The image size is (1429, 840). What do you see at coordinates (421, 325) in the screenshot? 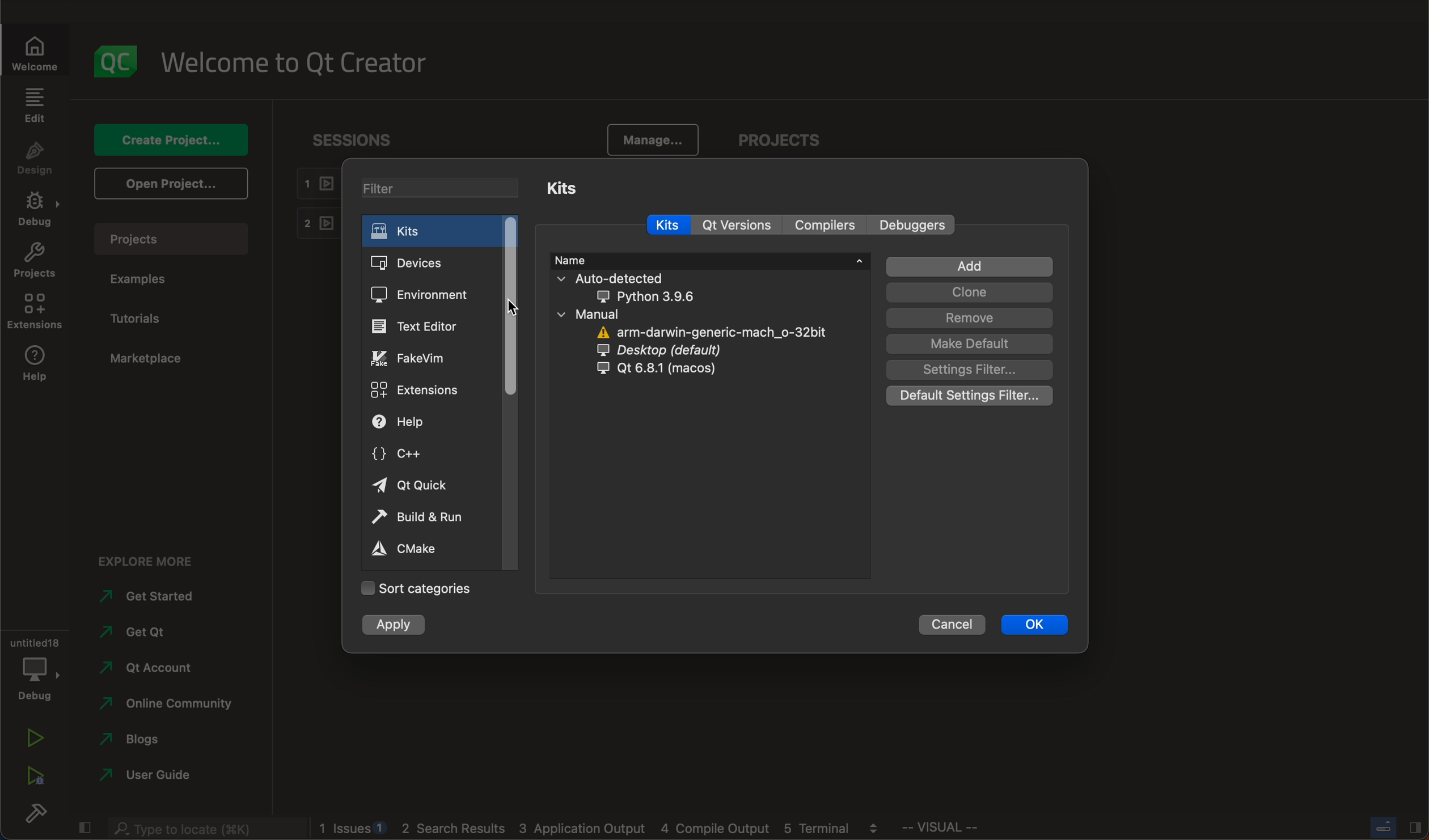
I see `editor` at bounding box center [421, 325].